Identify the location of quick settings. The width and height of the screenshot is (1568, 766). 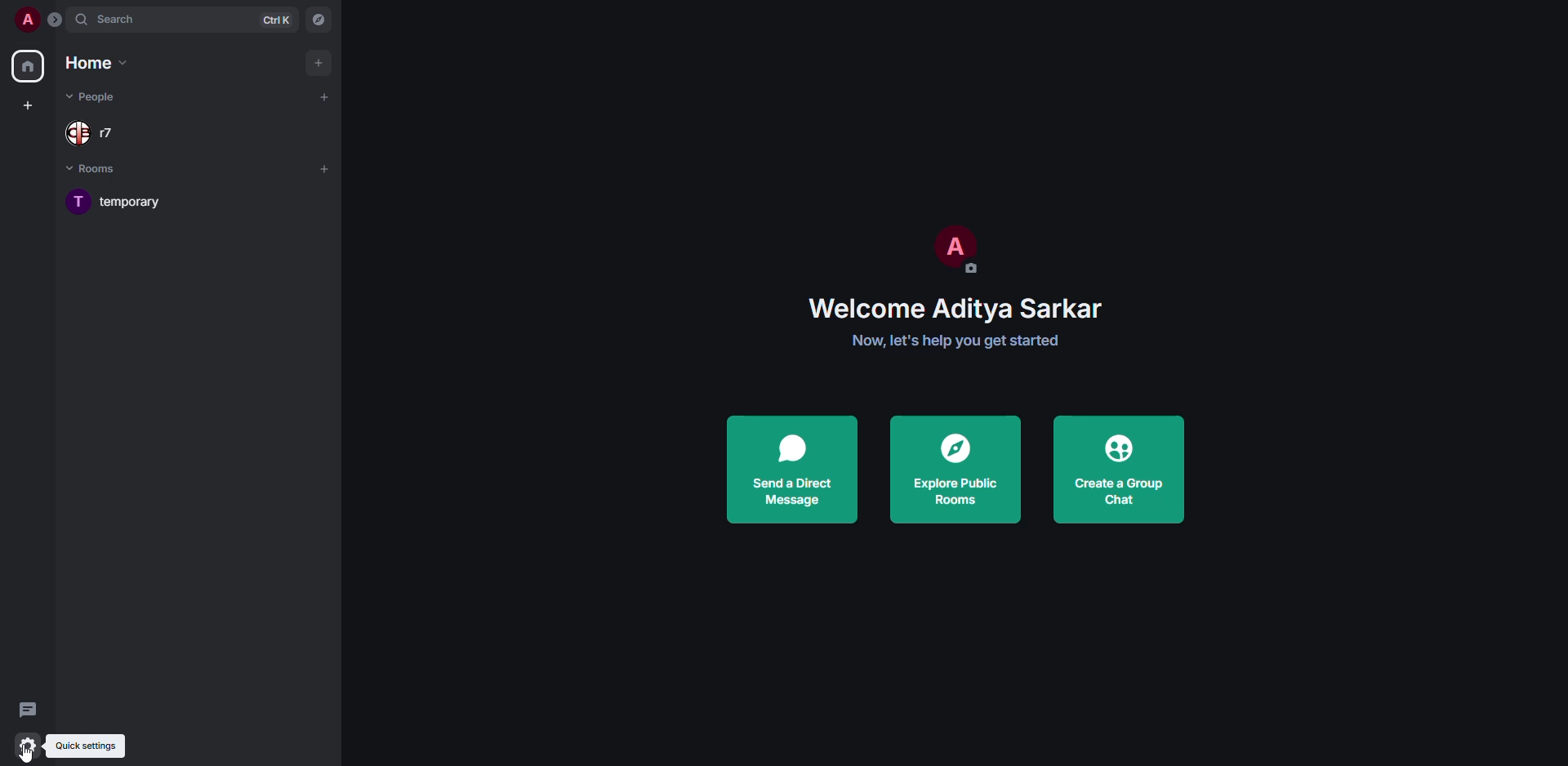
(26, 746).